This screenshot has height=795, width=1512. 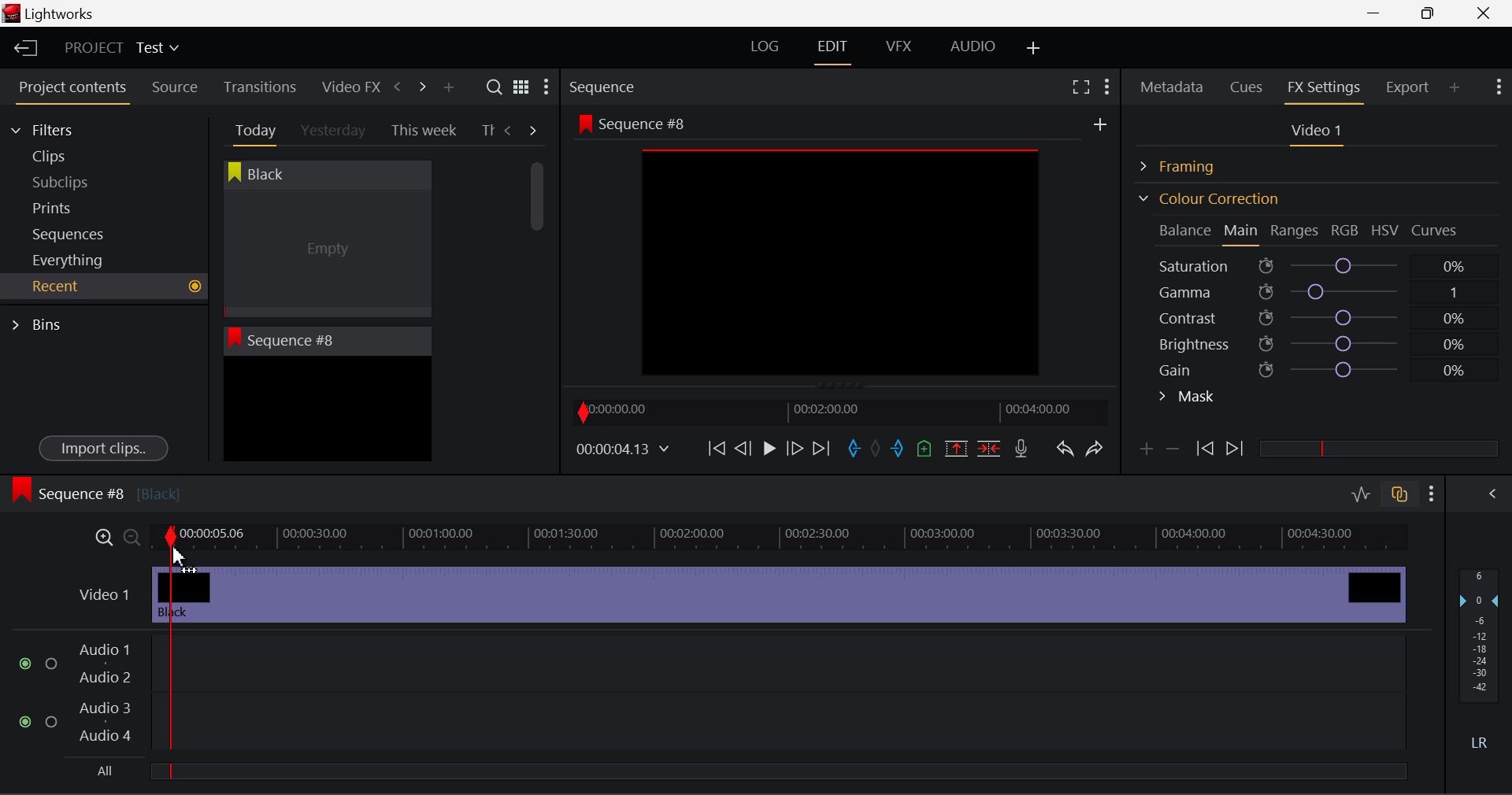 What do you see at coordinates (260, 87) in the screenshot?
I see `Transitions` at bounding box center [260, 87].